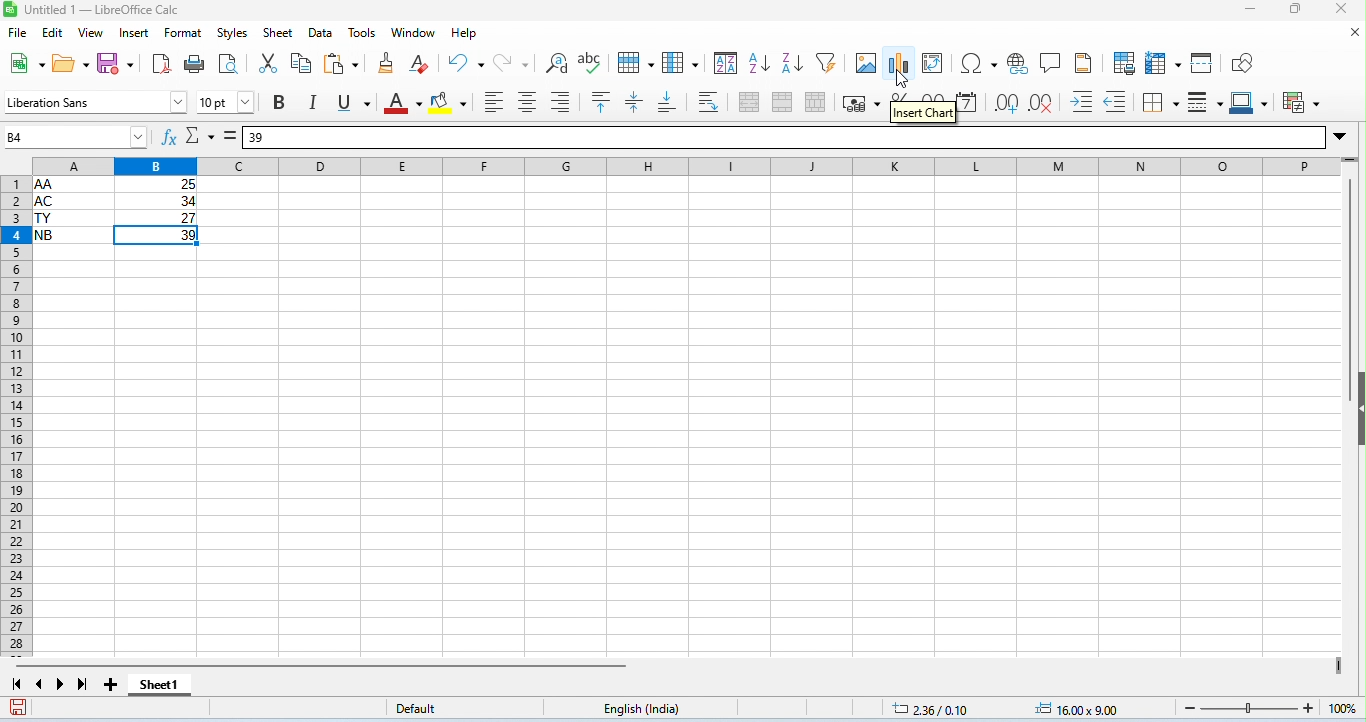  I want to click on formula bar, so click(785, 136).